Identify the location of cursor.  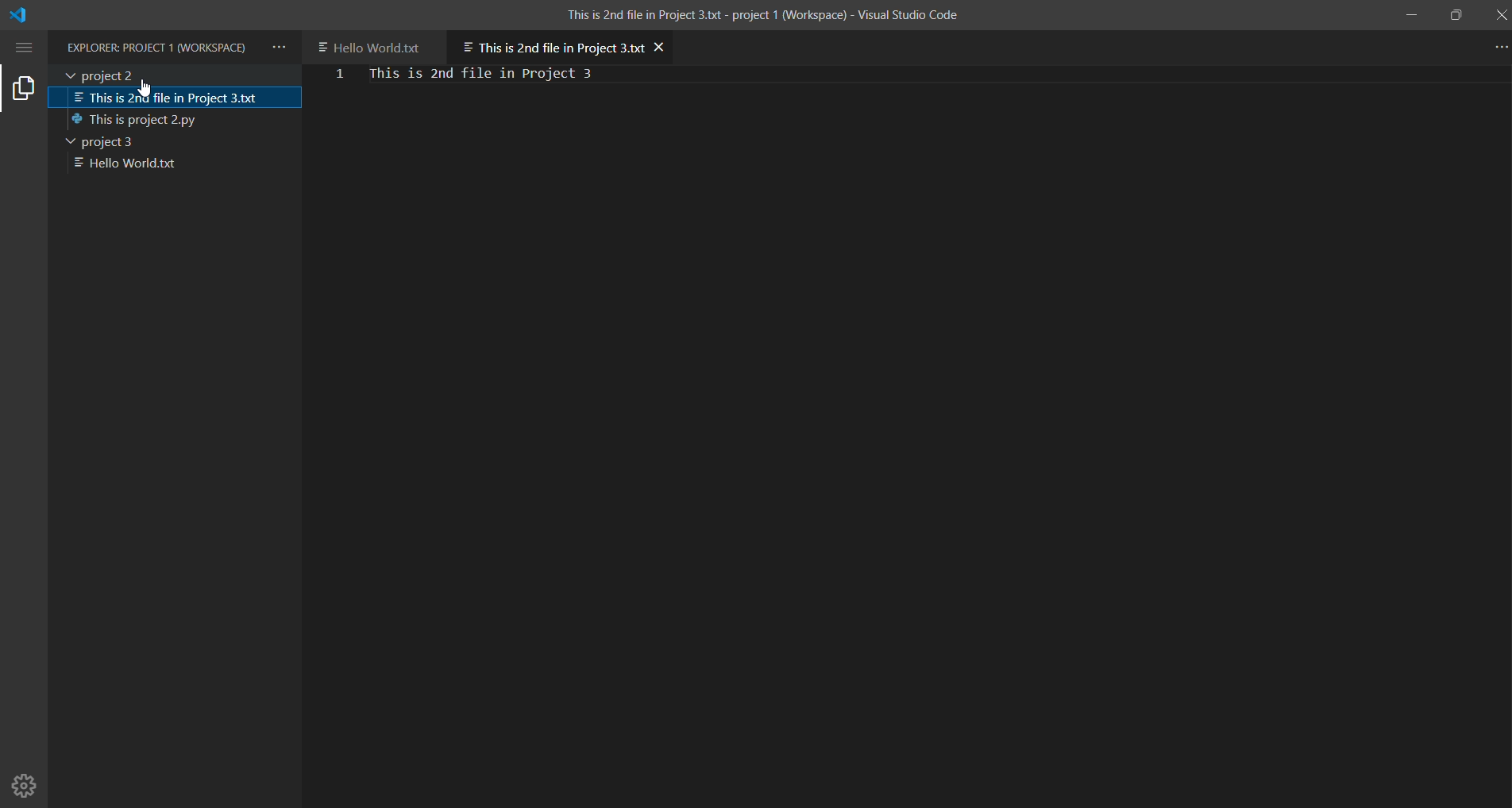
(141, 87).